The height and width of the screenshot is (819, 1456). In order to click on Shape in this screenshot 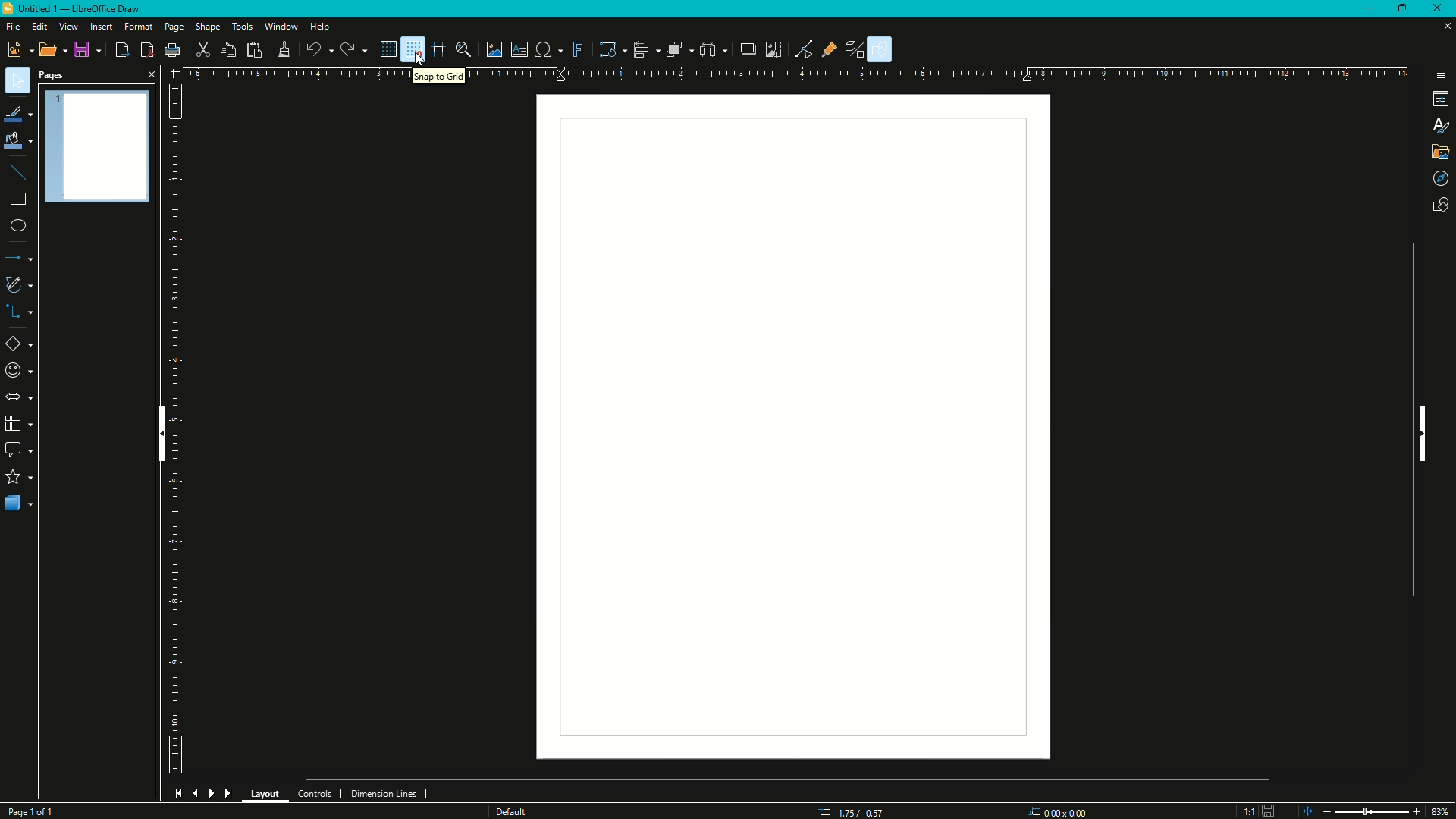, I will do `click(211, 26)`.